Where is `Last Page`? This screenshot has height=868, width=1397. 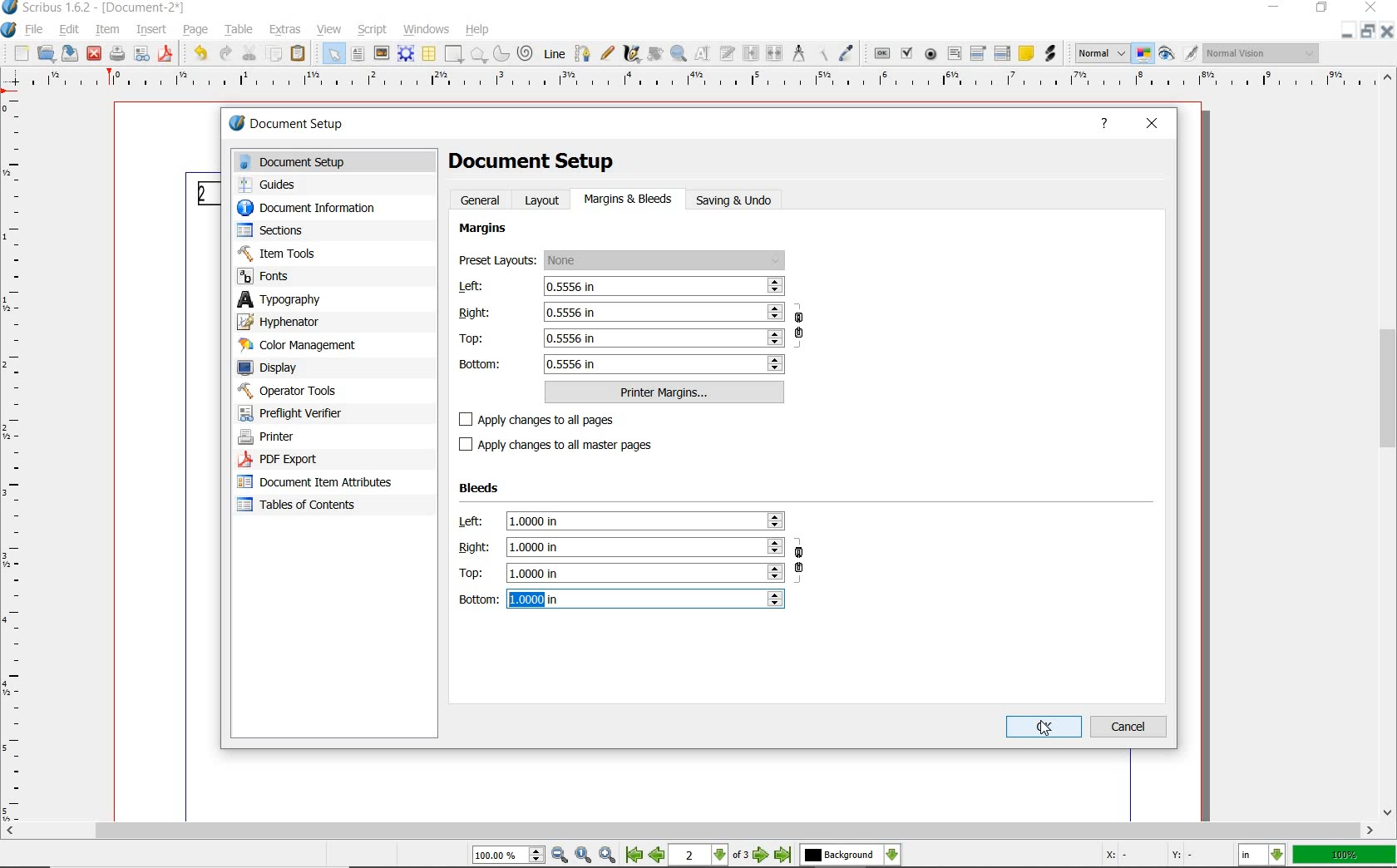
Last Page is located at coordinates (784, 856).